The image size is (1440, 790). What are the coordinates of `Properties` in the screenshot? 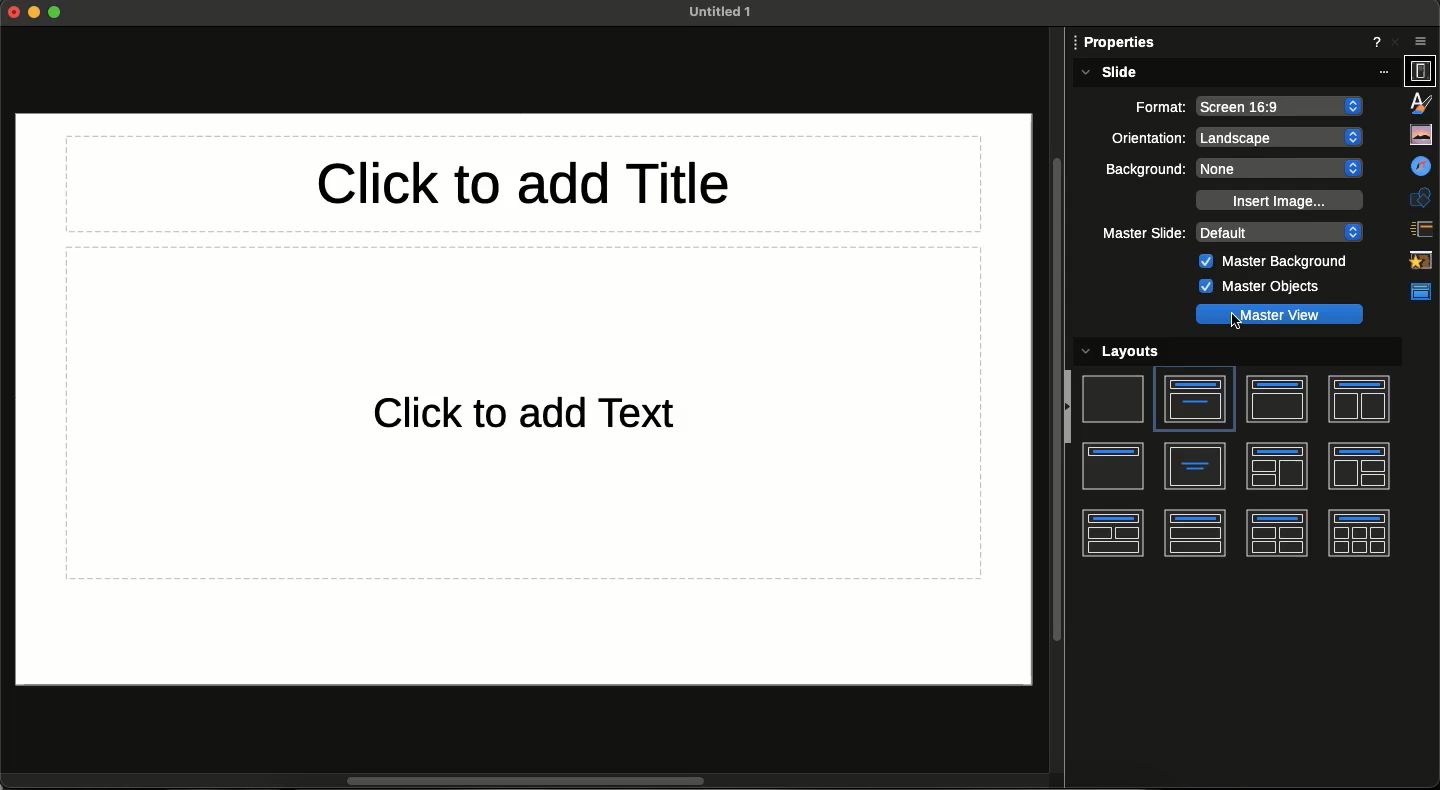 It's located at (1421, 71).